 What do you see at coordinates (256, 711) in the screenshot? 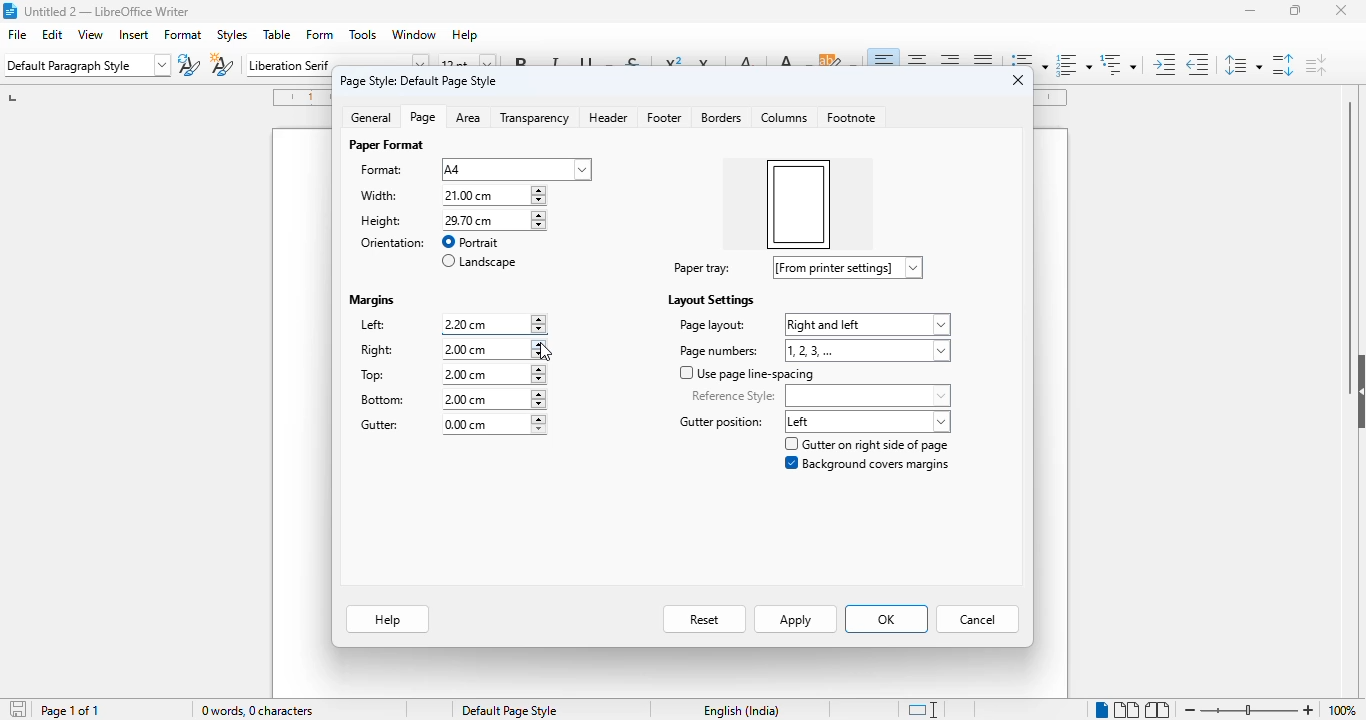
I see `0 words, 0 characters` at bounding box center [256, 711].